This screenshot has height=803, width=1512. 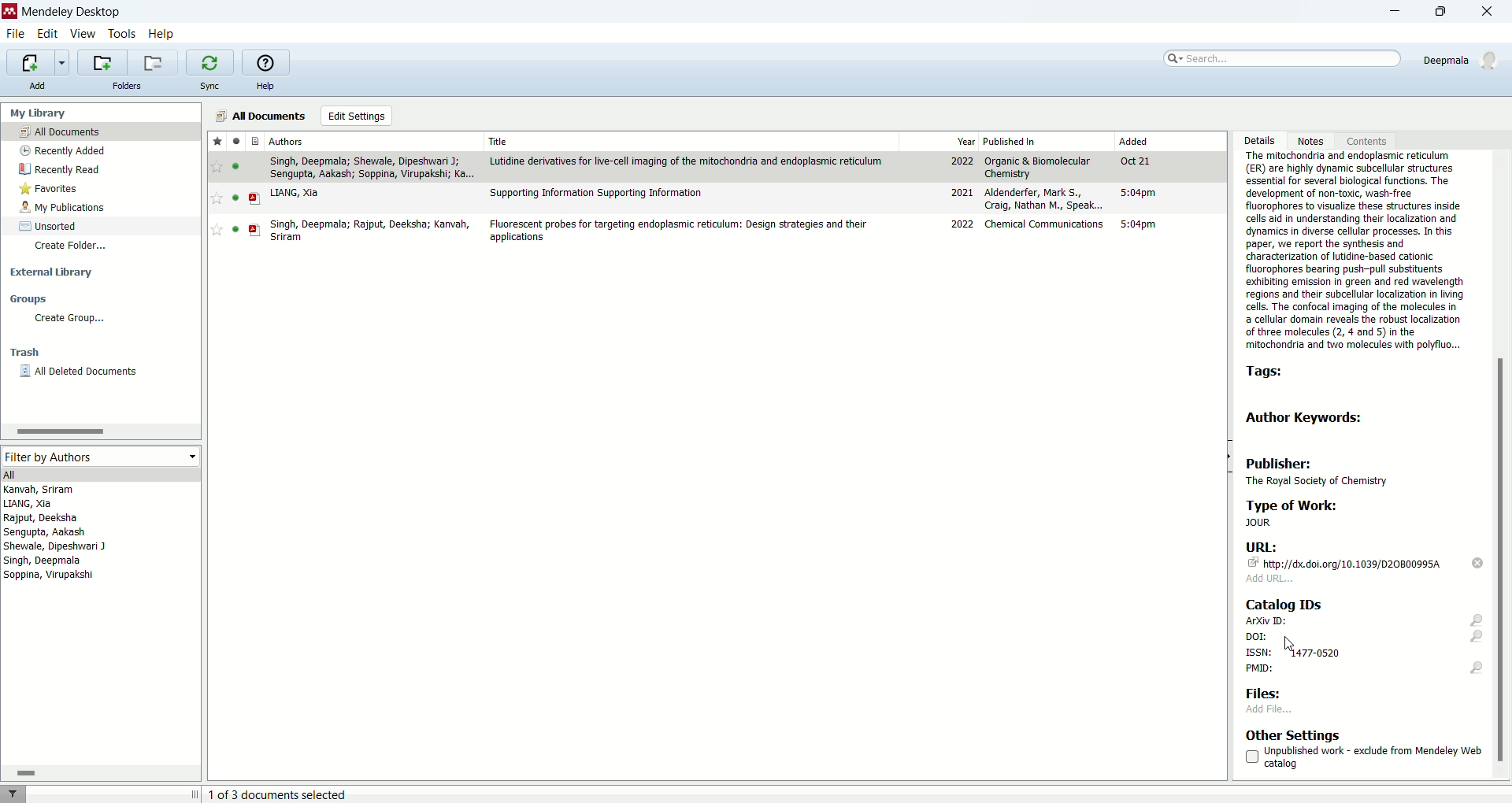 I want to click on add, so click(x=35, y=85).